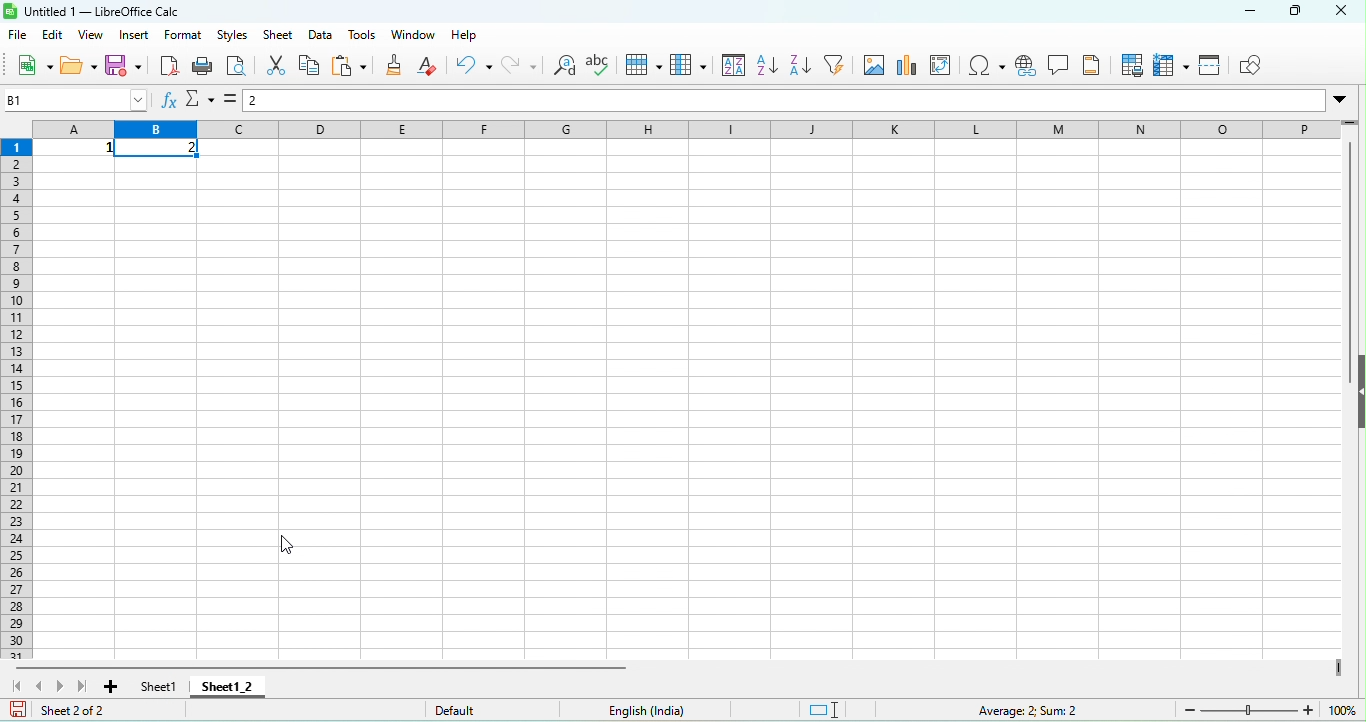 This screenshot has width=1366, height=722. Describe the element at coordinates (232, 687) in the screenshot. I see `sheet 2` at that location.